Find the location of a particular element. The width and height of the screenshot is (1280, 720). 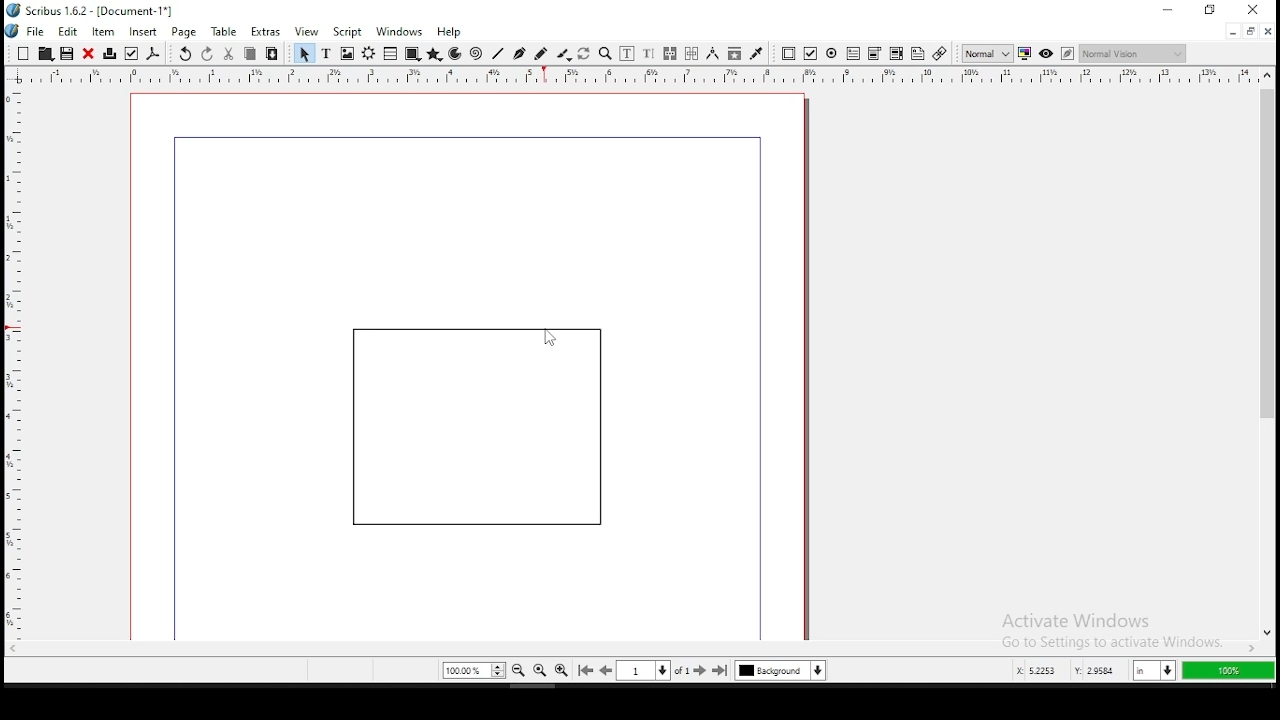

image frame is located at coordinates (347, 53).